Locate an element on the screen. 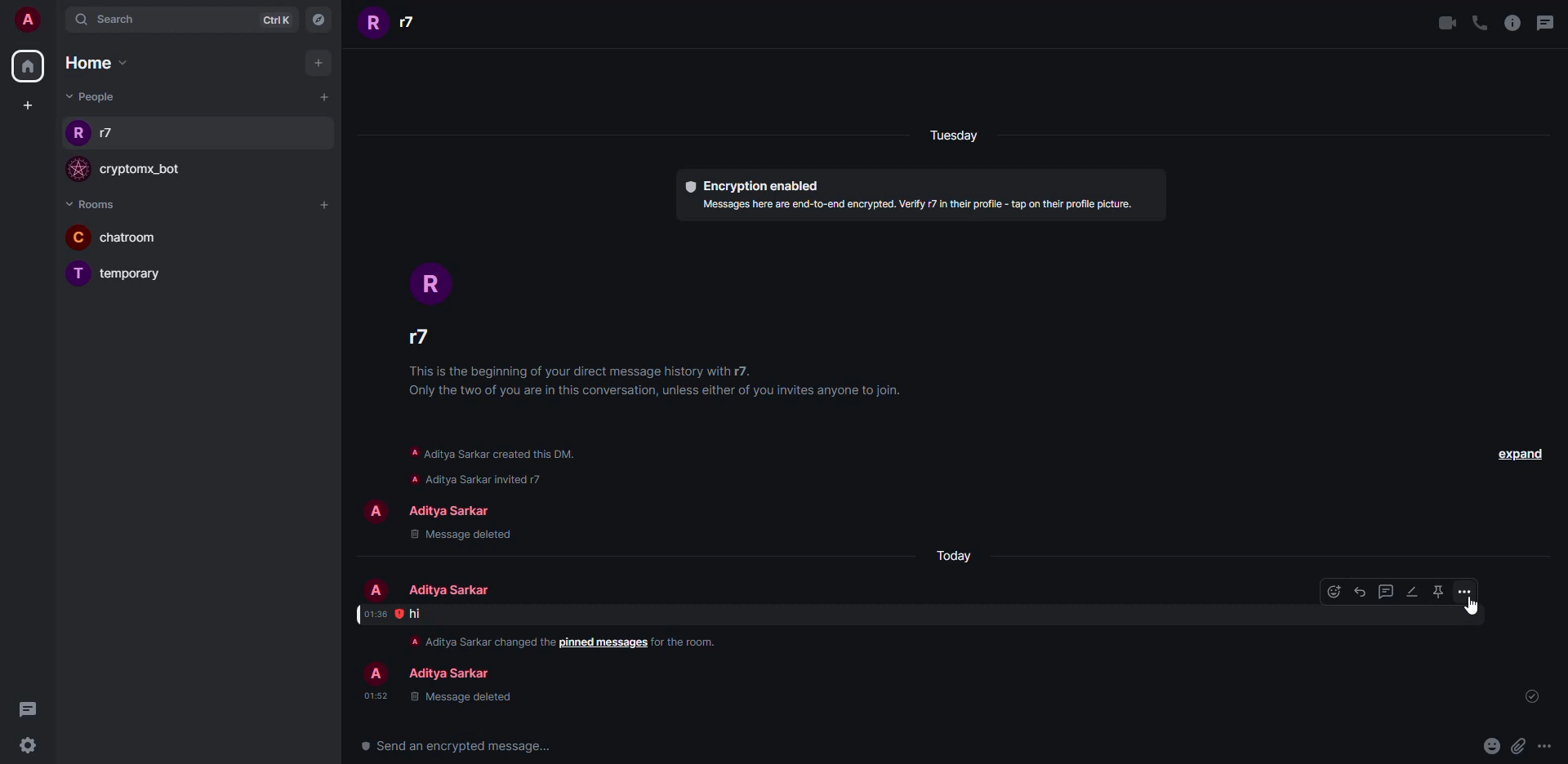 The width and height of the screenshot is (1568, 764). profile is located at coordinates (374, 512).